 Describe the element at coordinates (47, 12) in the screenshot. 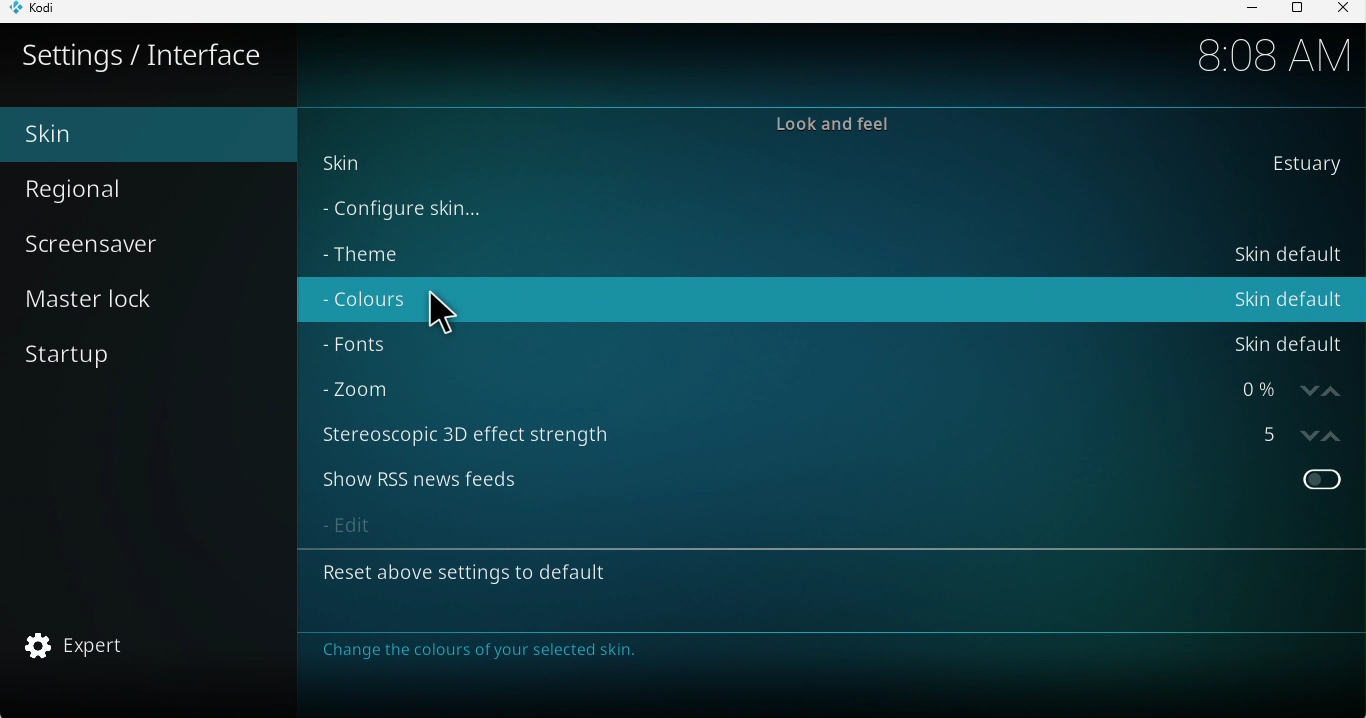

I see `KODI icon` at that location.